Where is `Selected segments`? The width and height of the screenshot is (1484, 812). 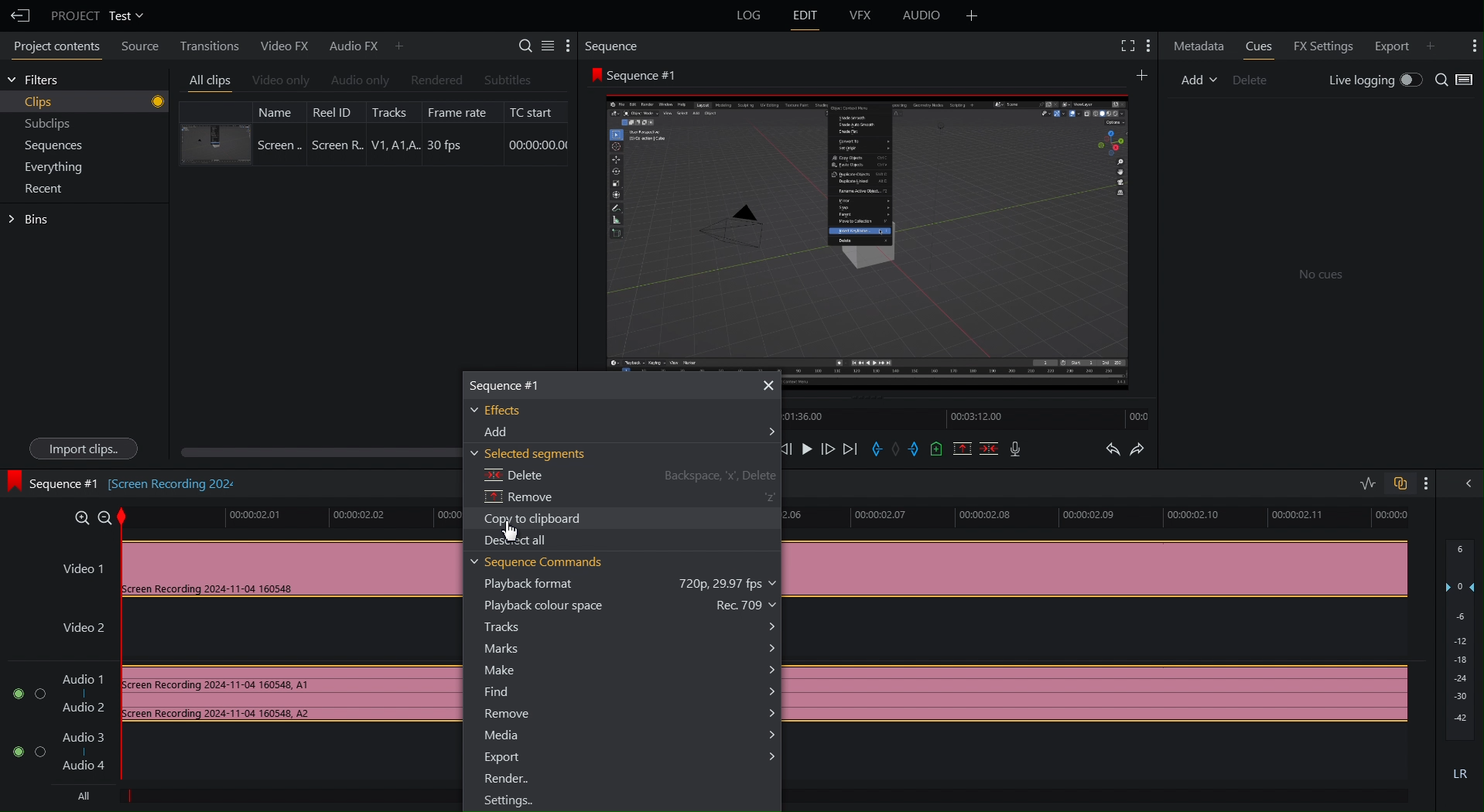 Selected segments is located at coordinates (532, 455).